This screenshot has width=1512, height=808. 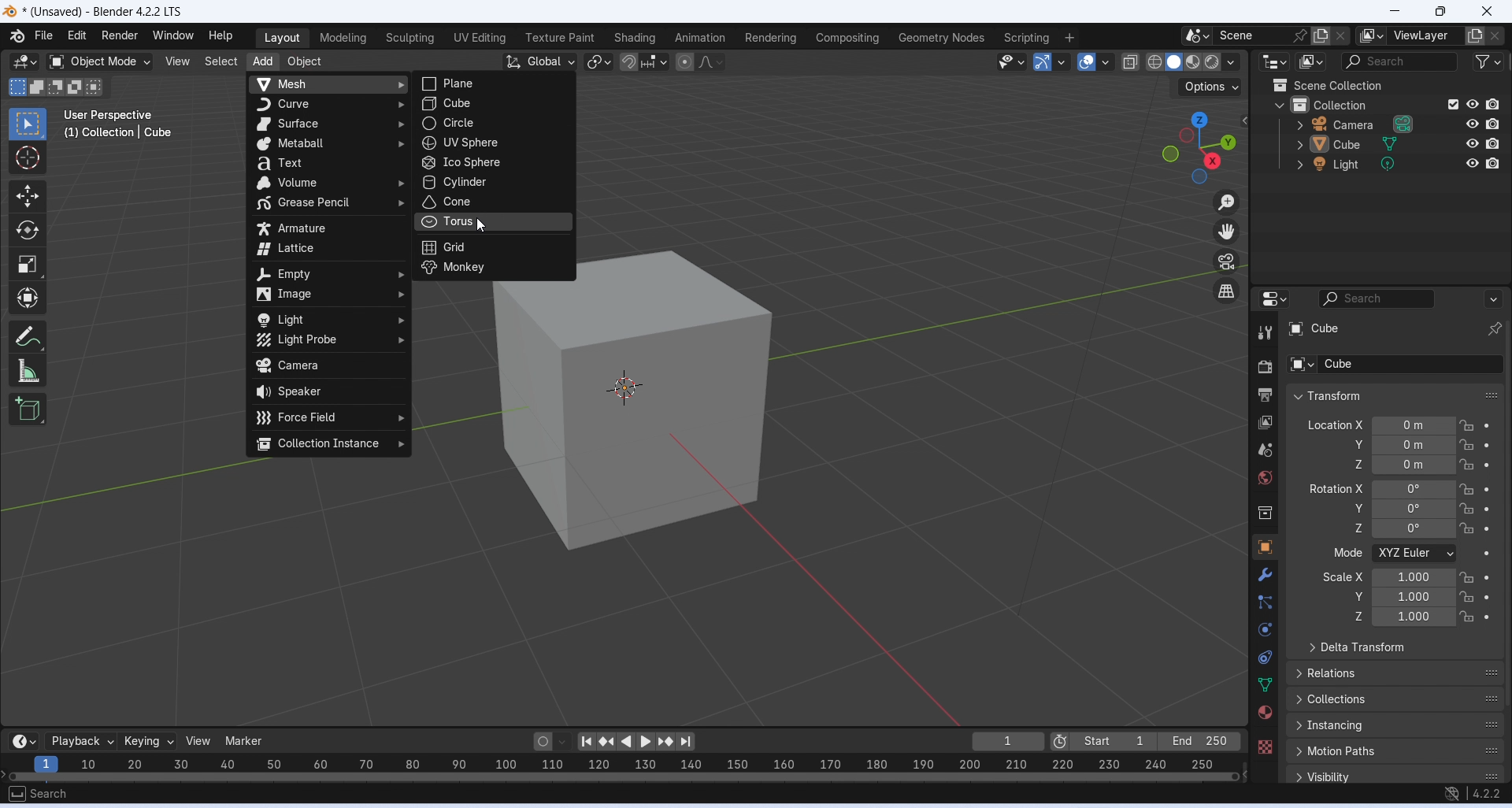 I want to click on Object, so click(x=1264, y=547).